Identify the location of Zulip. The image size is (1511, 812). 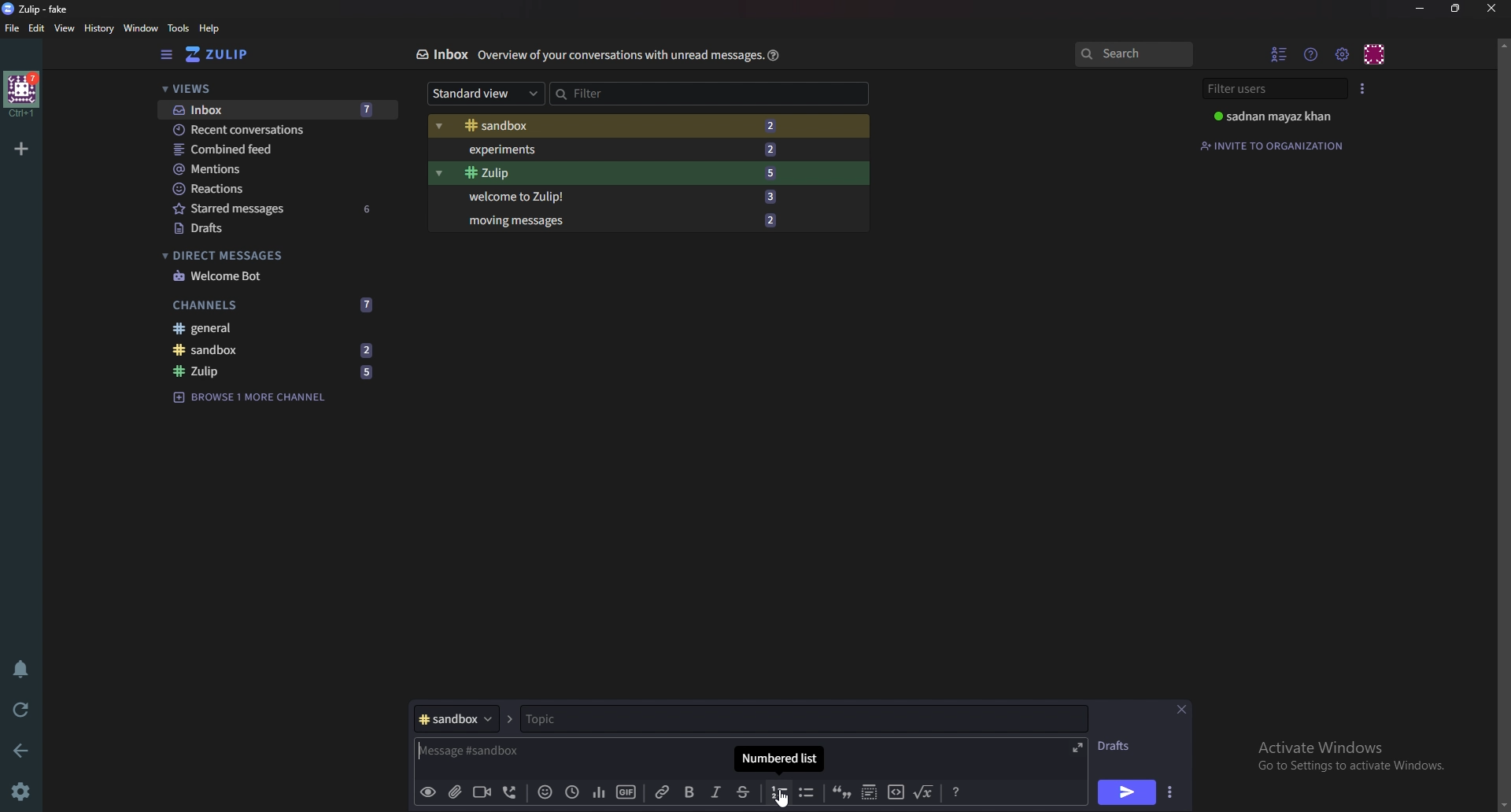
(616, 173).